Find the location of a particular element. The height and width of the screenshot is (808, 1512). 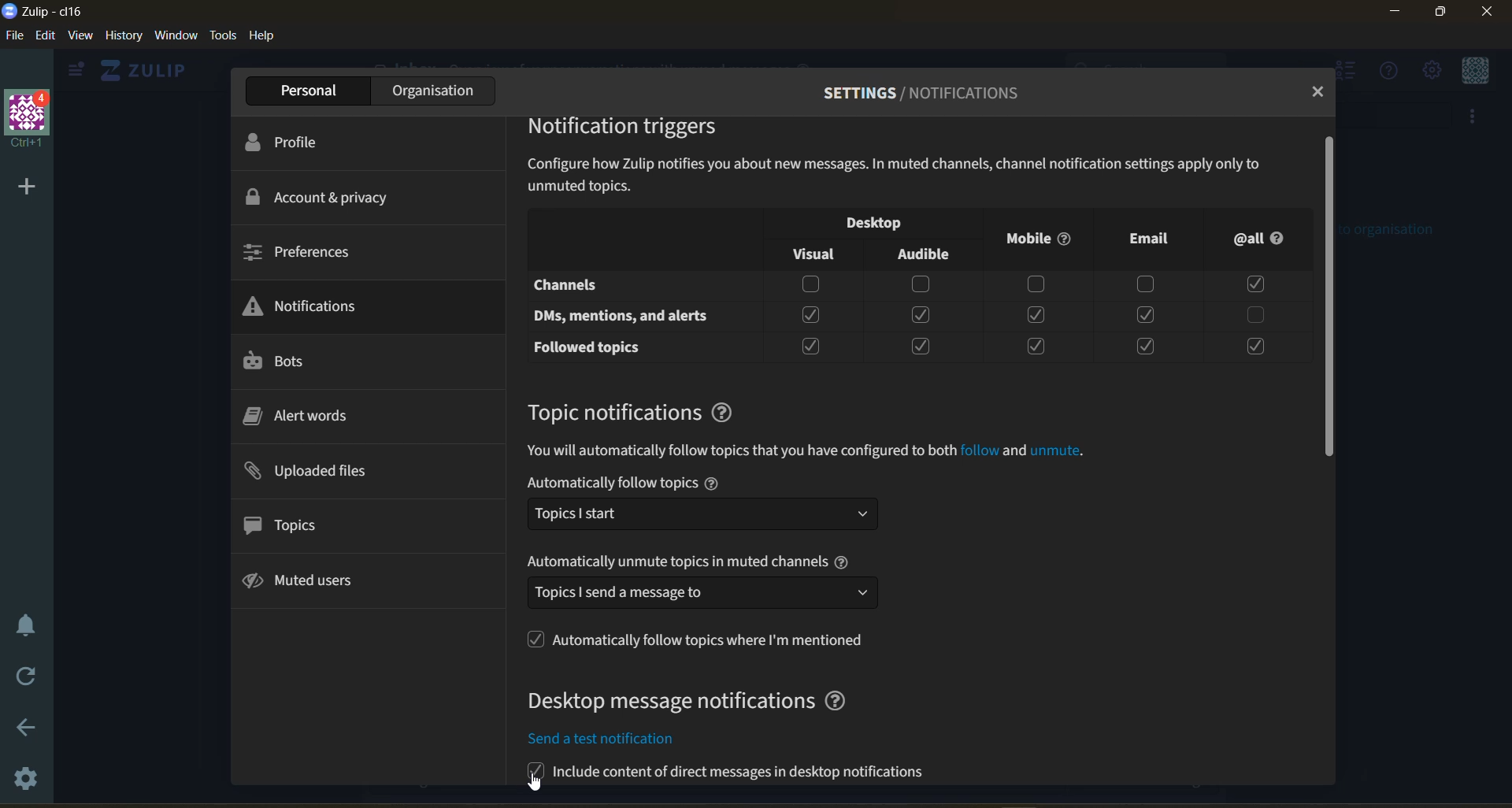

personal is located at coordinates (302, 90).